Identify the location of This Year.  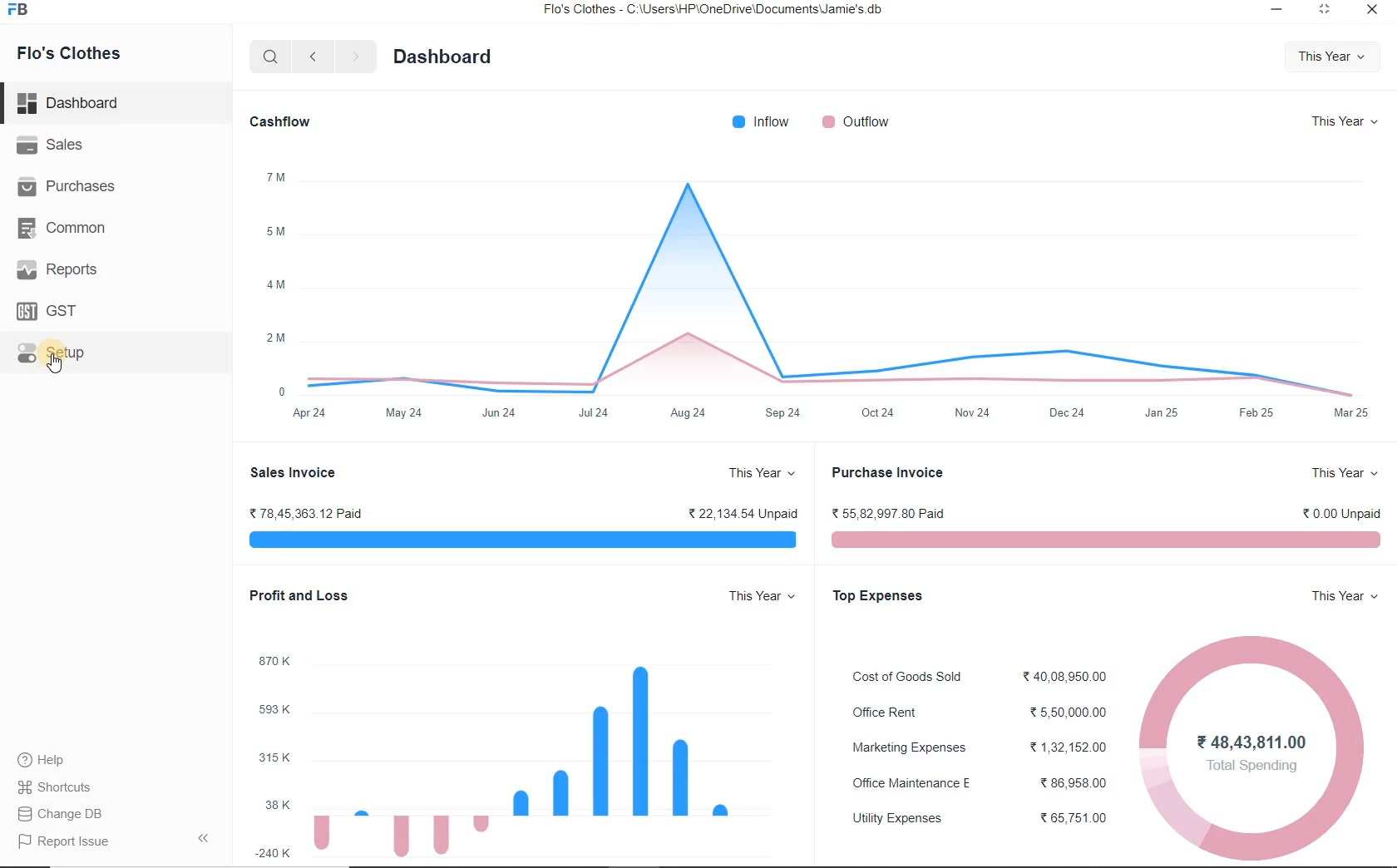
(762, 597).